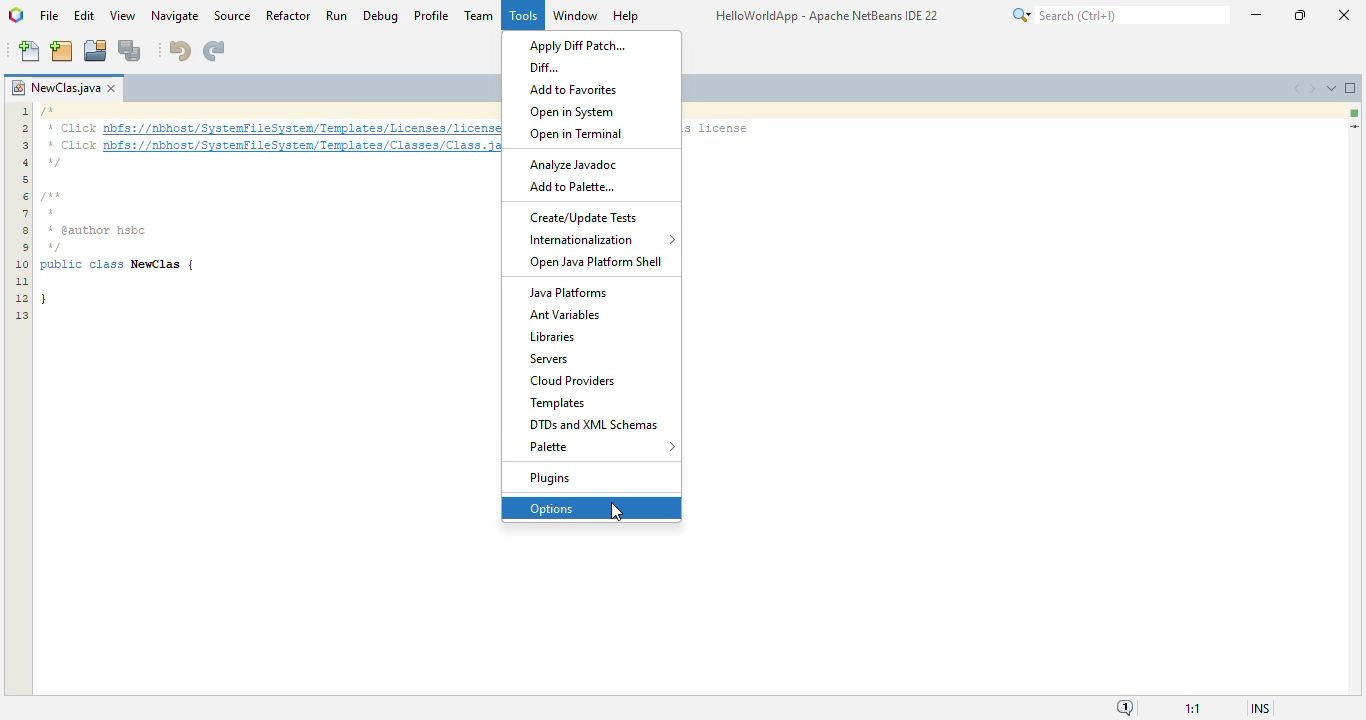 The width and height of the screenshot is (1366, 720). I want to click on project name, so click(53, 86).